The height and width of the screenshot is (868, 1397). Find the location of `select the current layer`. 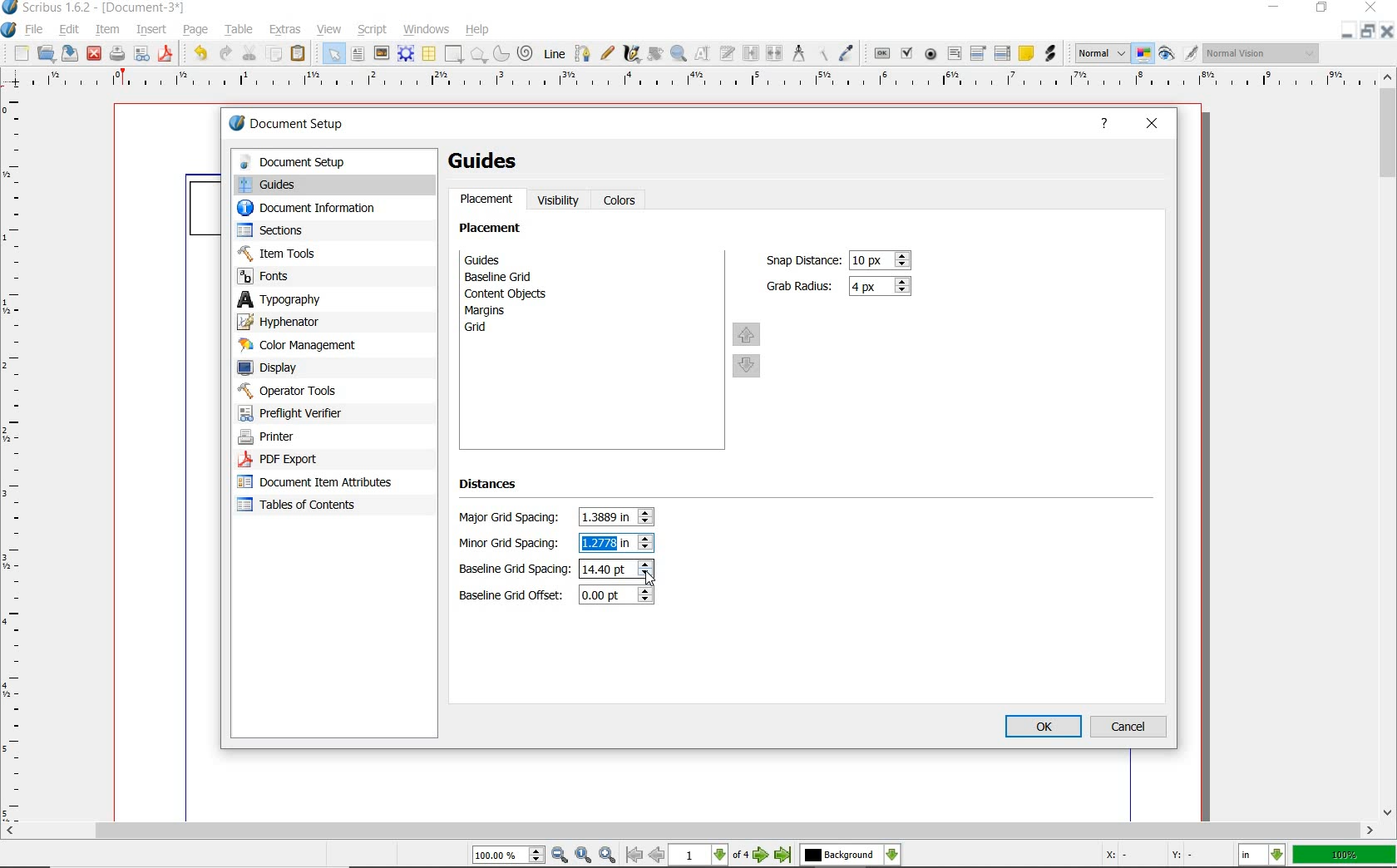

select the current layer is located at coordinates (851, 856).